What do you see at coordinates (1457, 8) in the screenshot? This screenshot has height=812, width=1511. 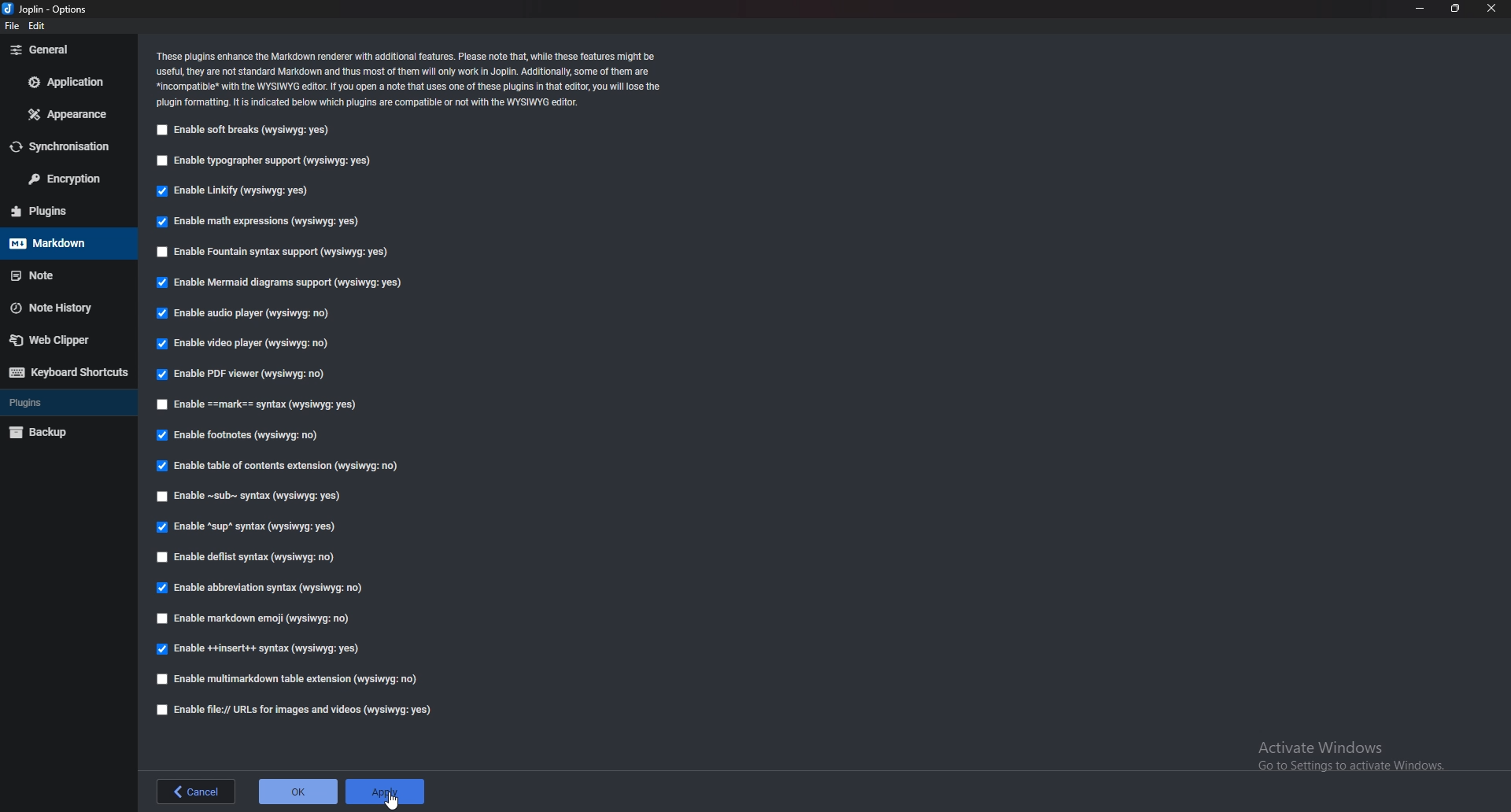 I see `Resize` at bounding box center [1457, 8].